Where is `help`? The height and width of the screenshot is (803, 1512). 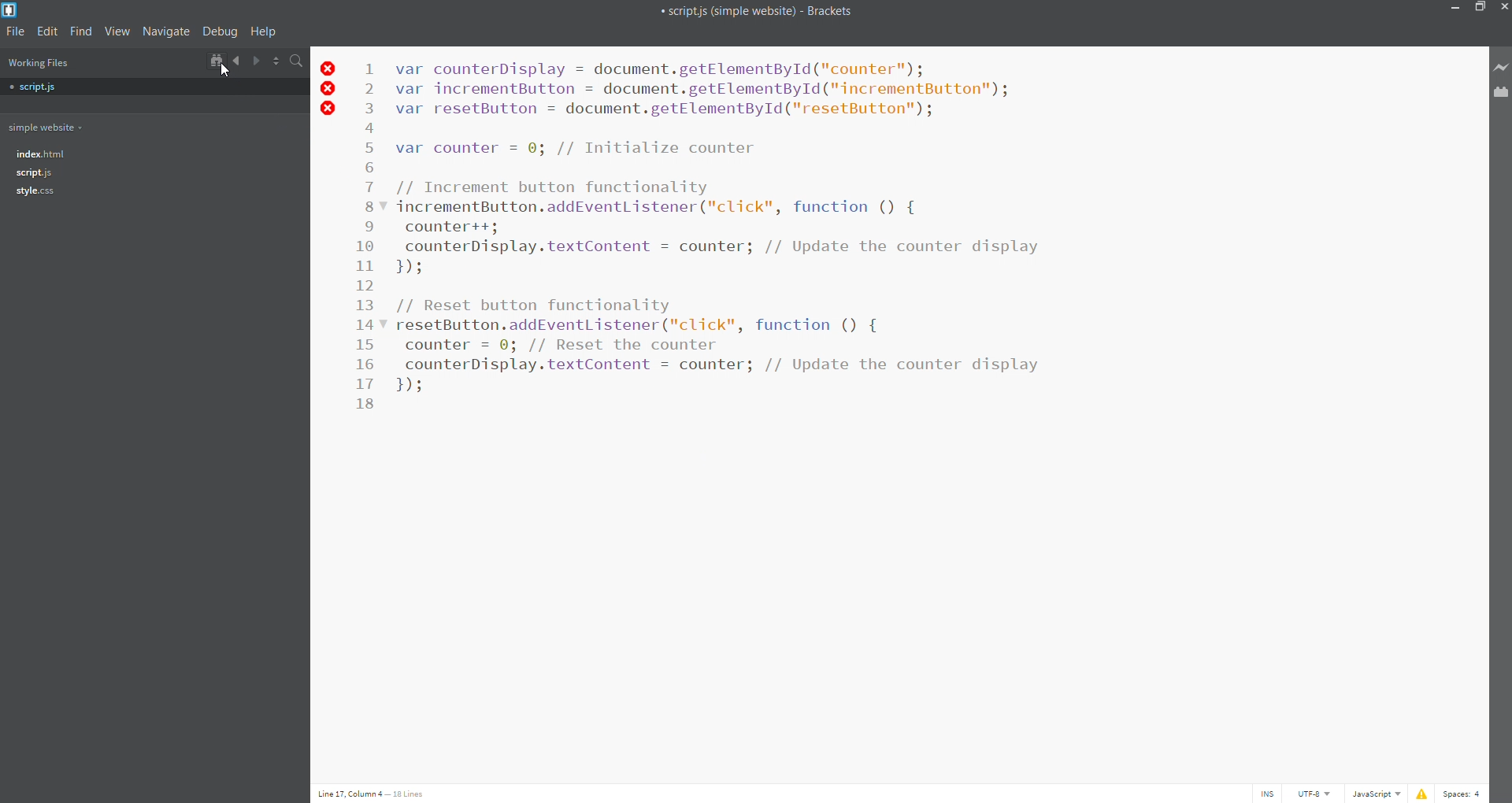
help is located at coordinates (266, 32).